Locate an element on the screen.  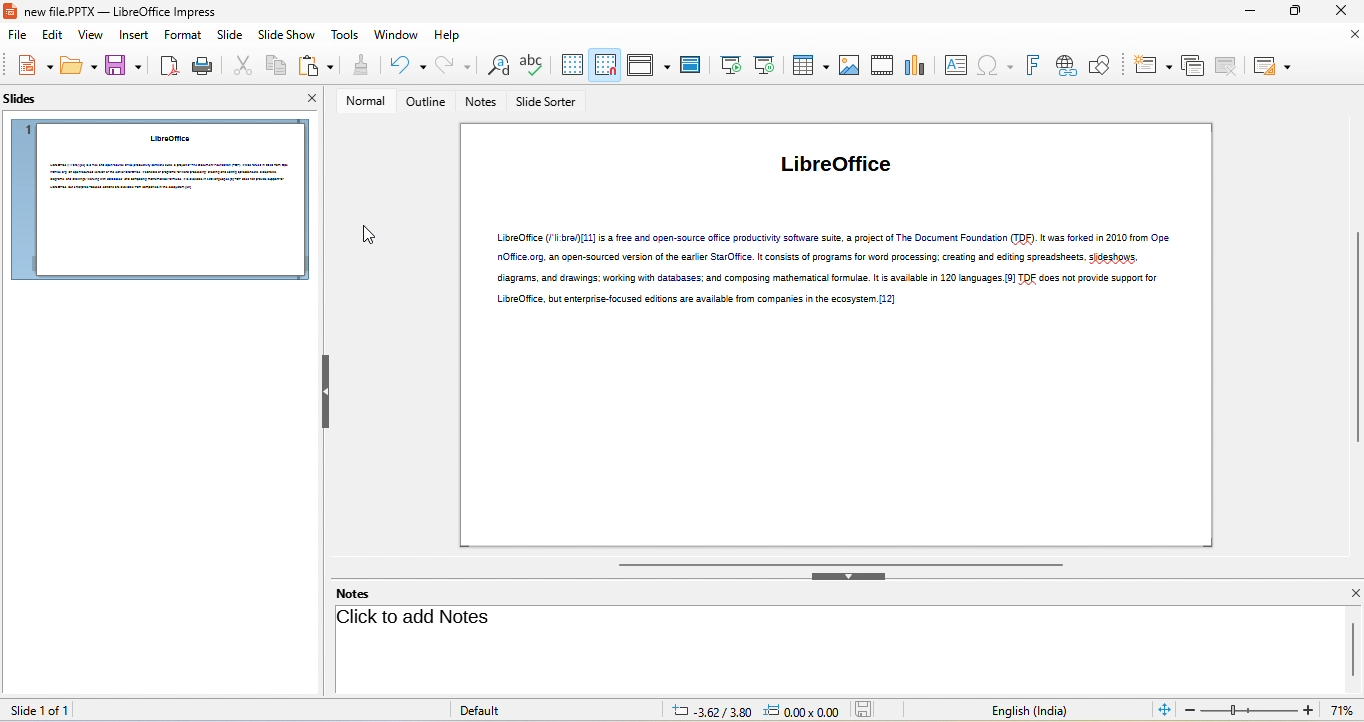
new slide is located at coordinates (1154, 66).